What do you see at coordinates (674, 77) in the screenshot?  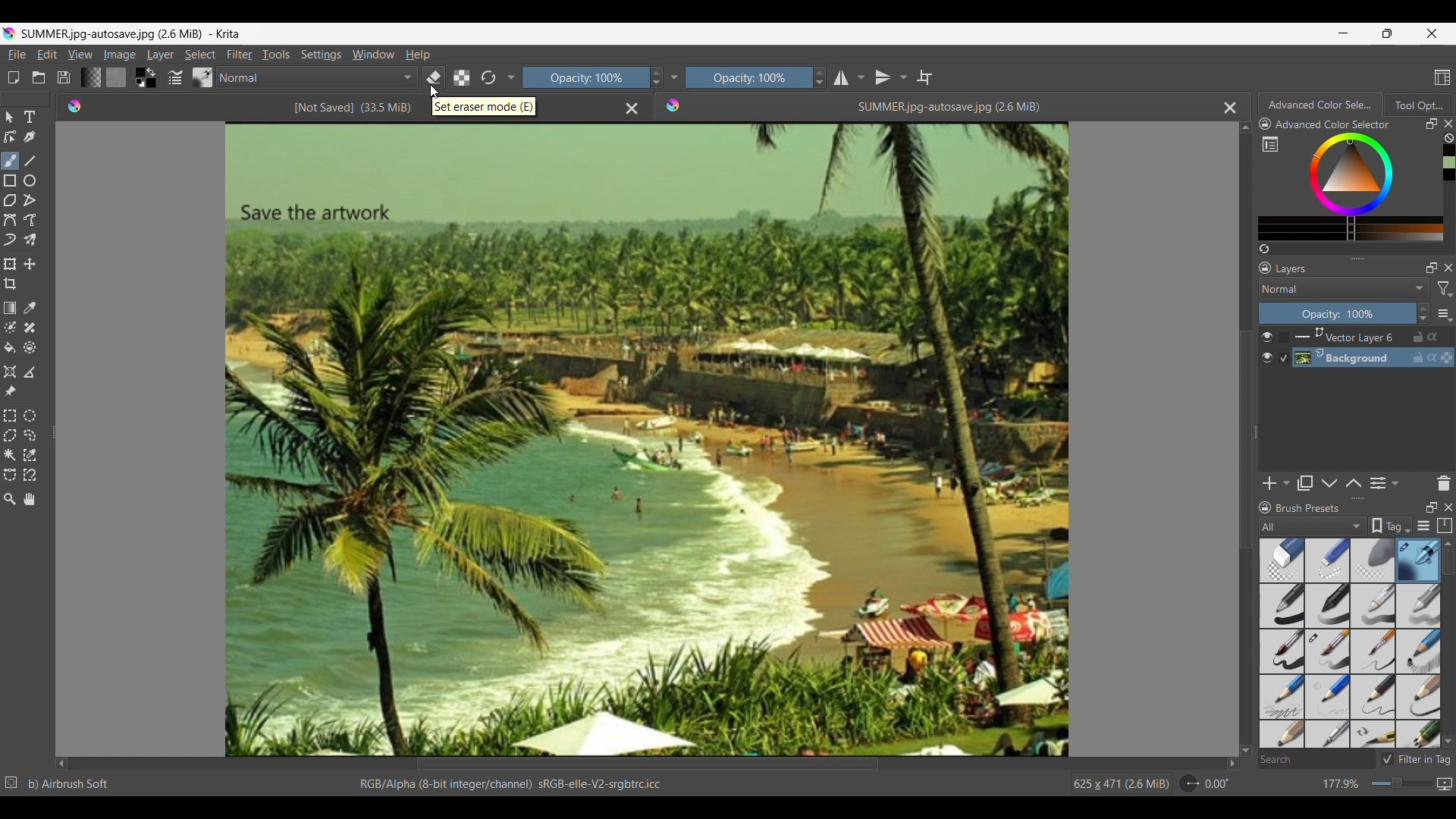 I see `Show/Hide tools` at bounding box center [674, 77].